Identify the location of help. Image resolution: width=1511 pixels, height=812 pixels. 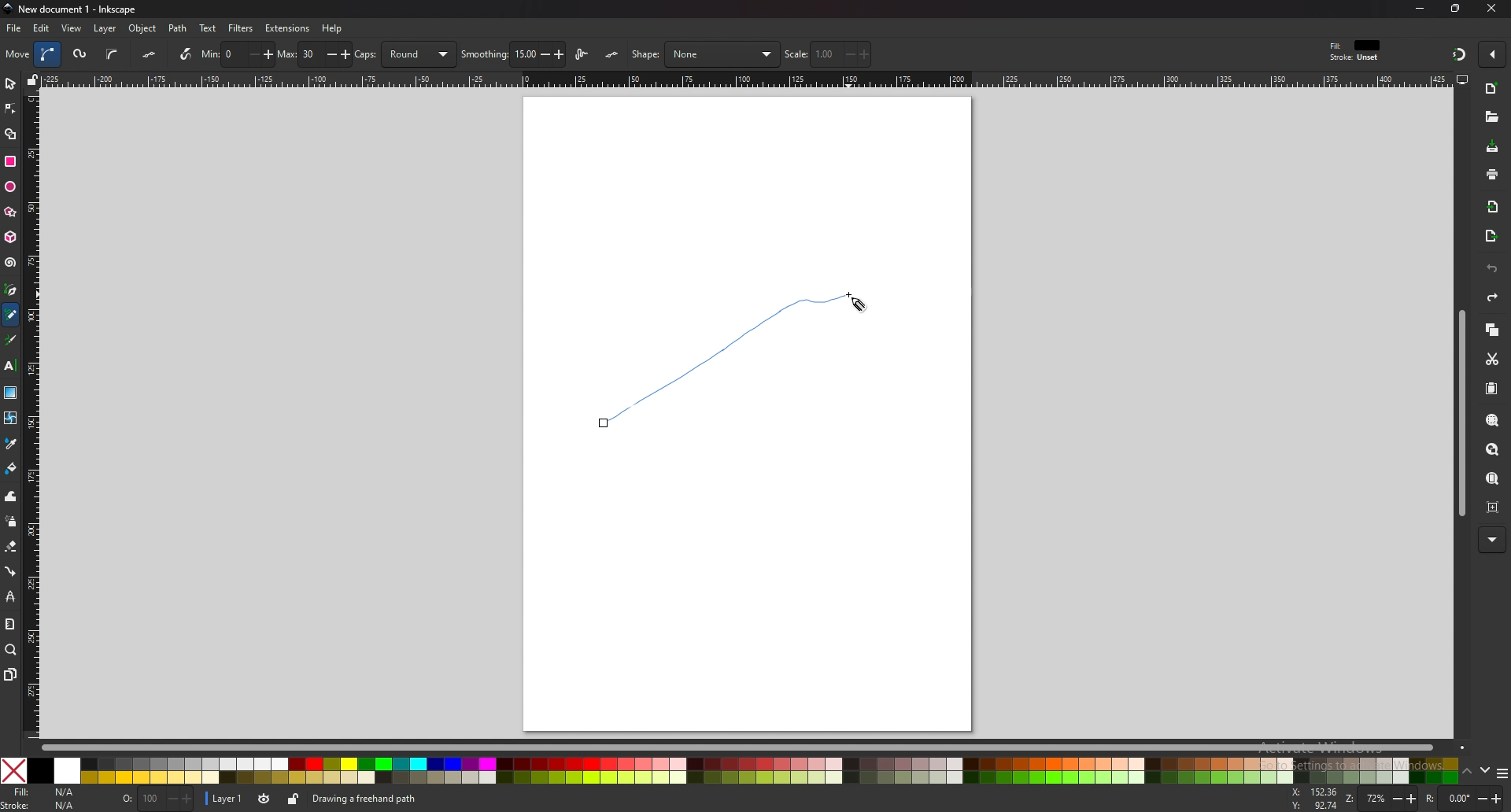
(333, 28).